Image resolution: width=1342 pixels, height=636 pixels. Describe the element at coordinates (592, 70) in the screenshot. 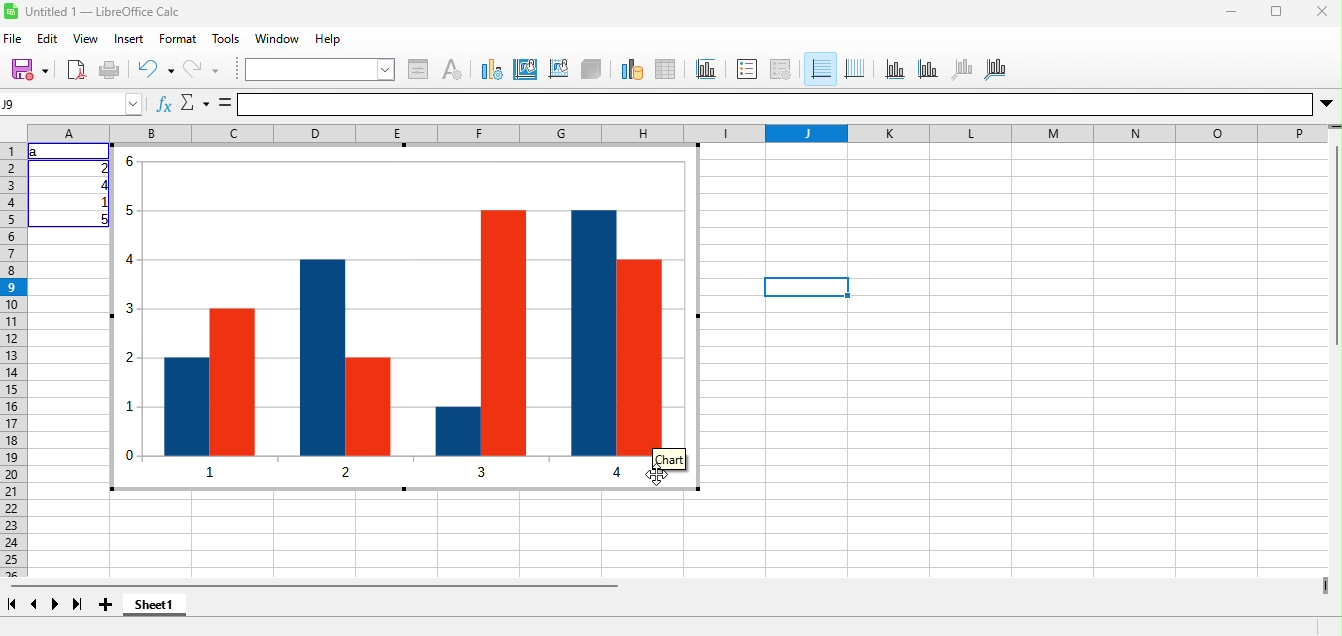

I see `3d view` at that location.